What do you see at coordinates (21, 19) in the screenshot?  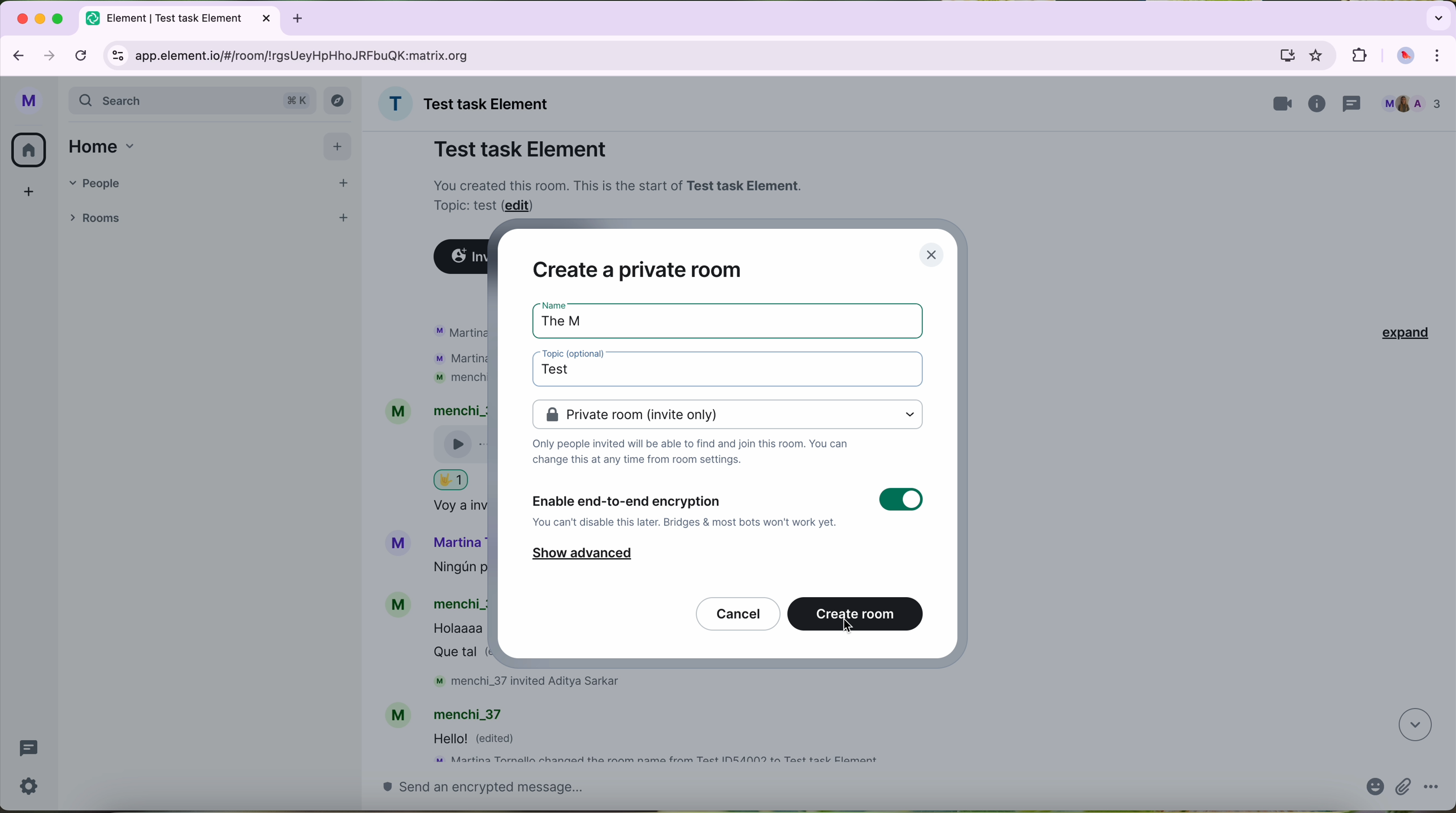 I see `close Google Chrome` at bounding box center [21, 19].